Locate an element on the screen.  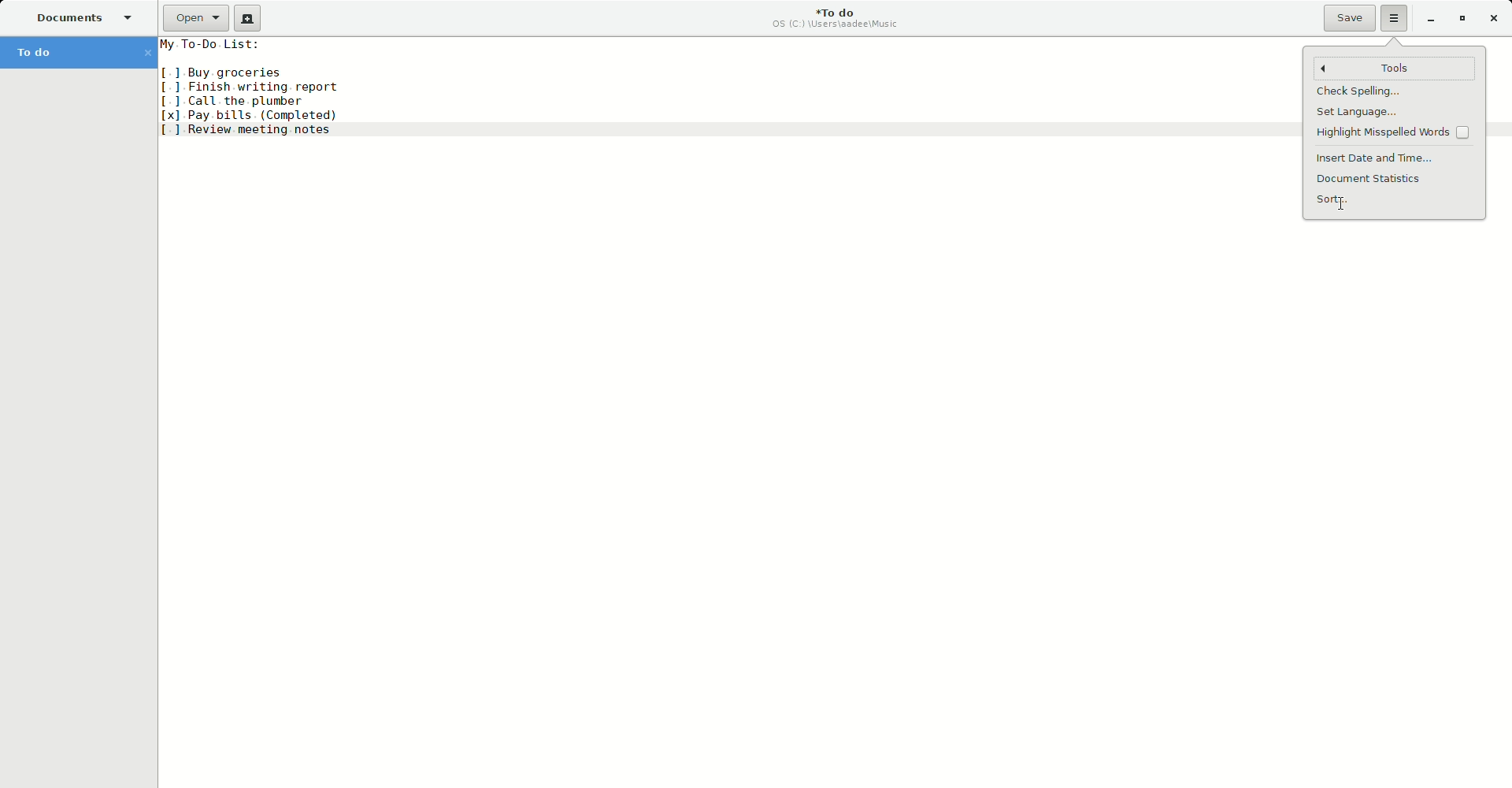
Documents is located at coordinates (84, 17).